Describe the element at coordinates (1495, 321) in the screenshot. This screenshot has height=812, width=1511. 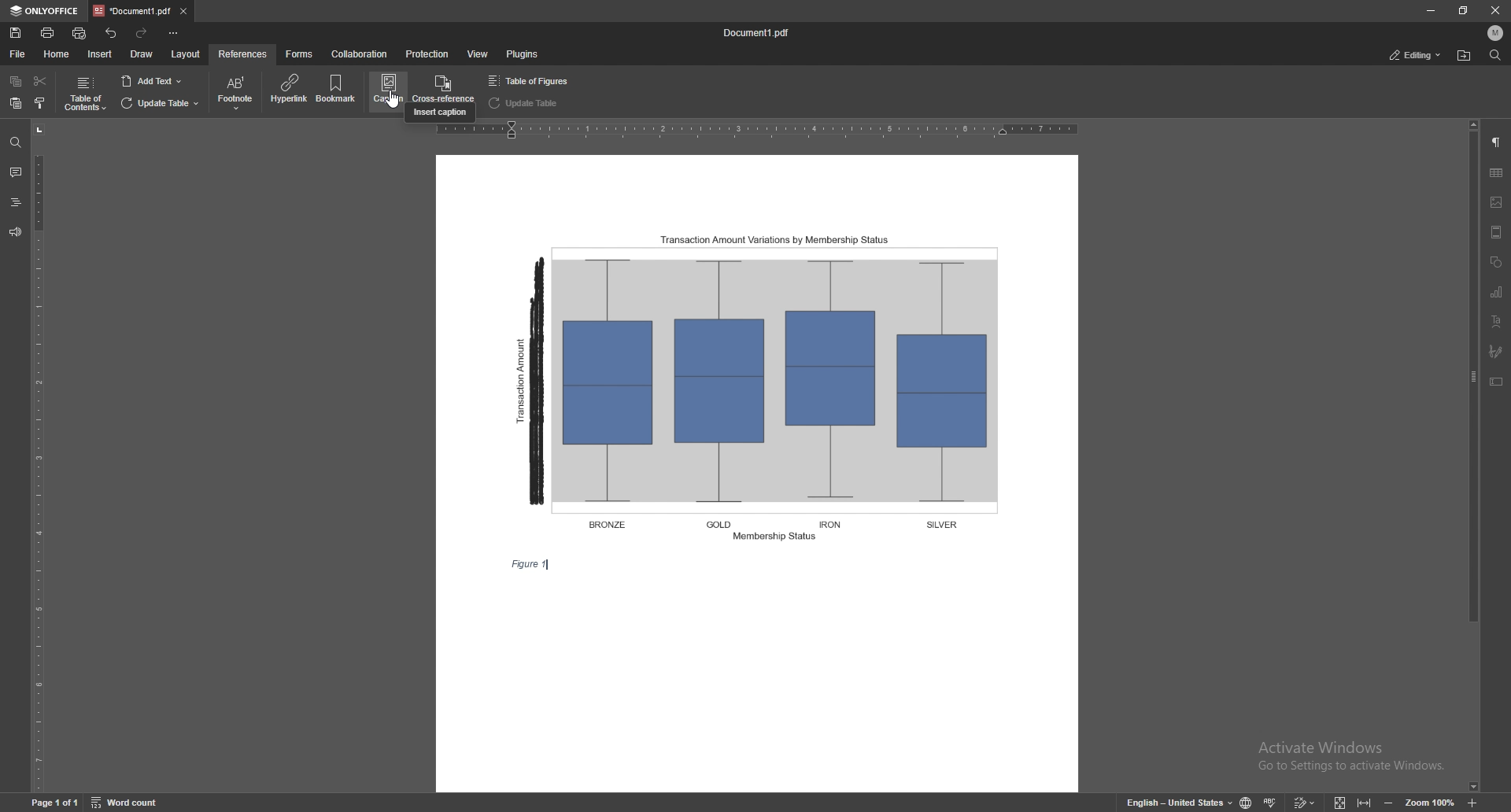
I see `text art` at that location.